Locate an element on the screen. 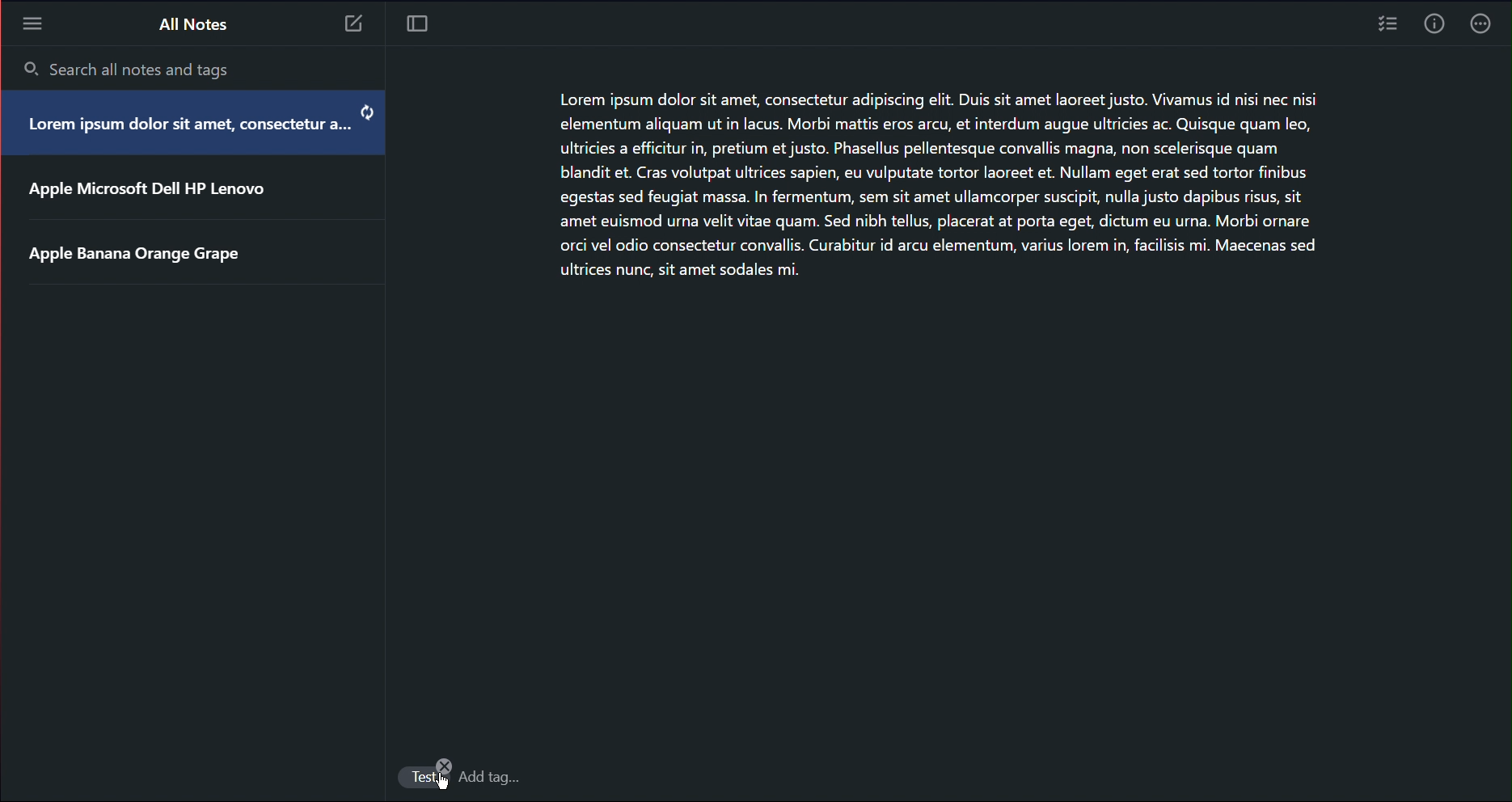 This screenshot has width=1512, height=802. Checklist is located at coordinates (1386, 27).